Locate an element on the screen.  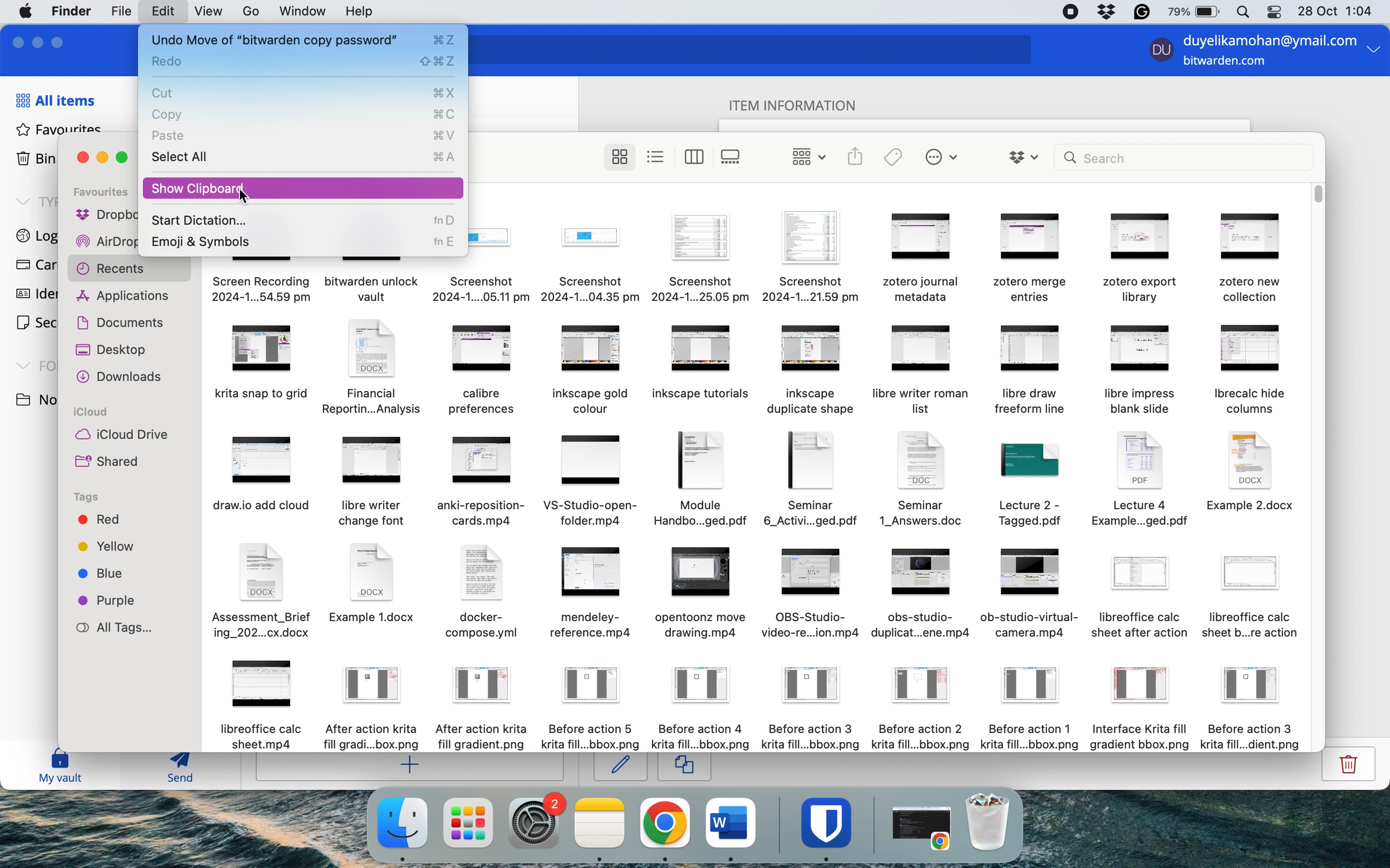
undo move of item is located at coordinates (303, 40).